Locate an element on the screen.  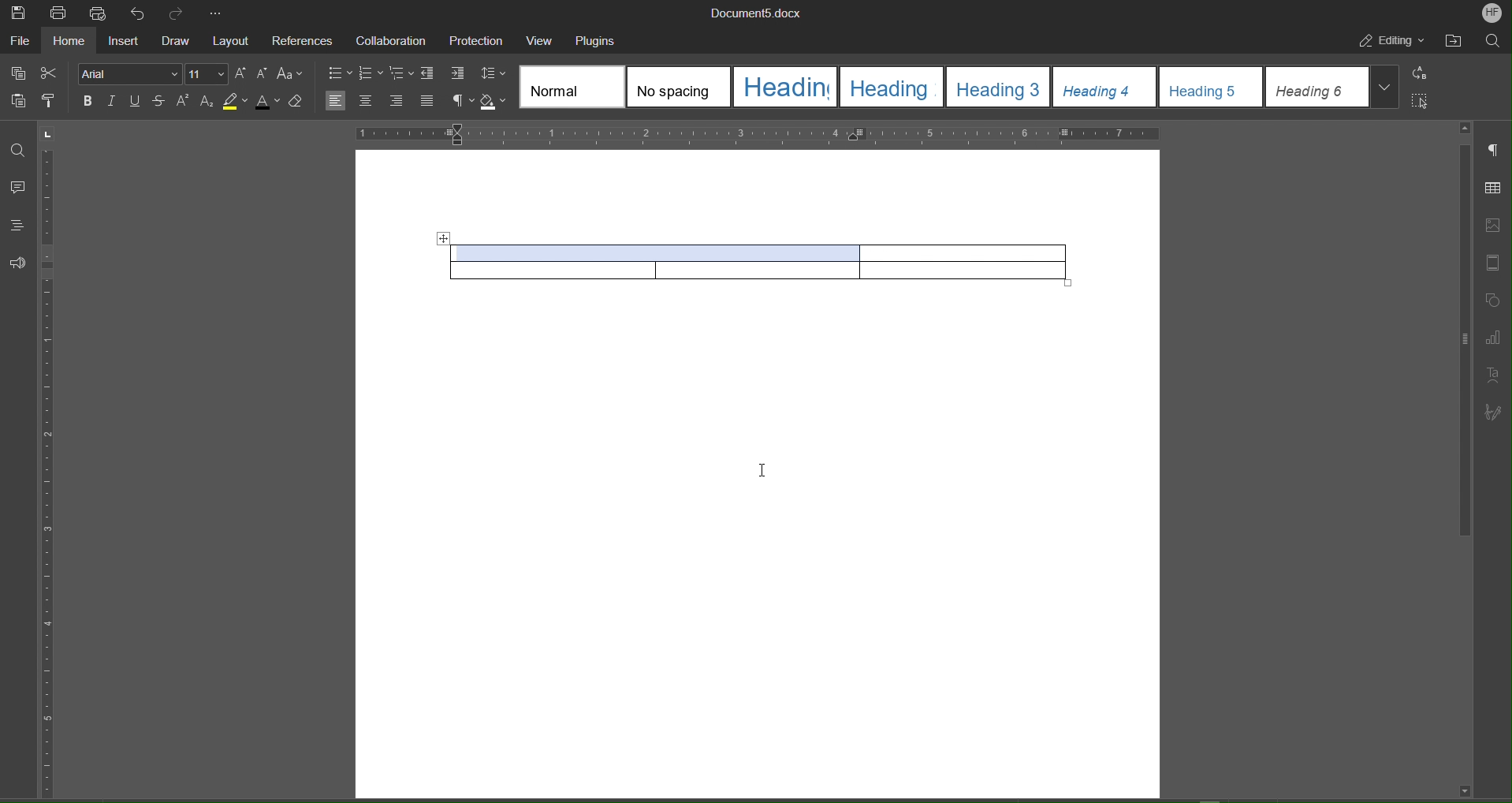
Bold is located at coordinates (88, 102).